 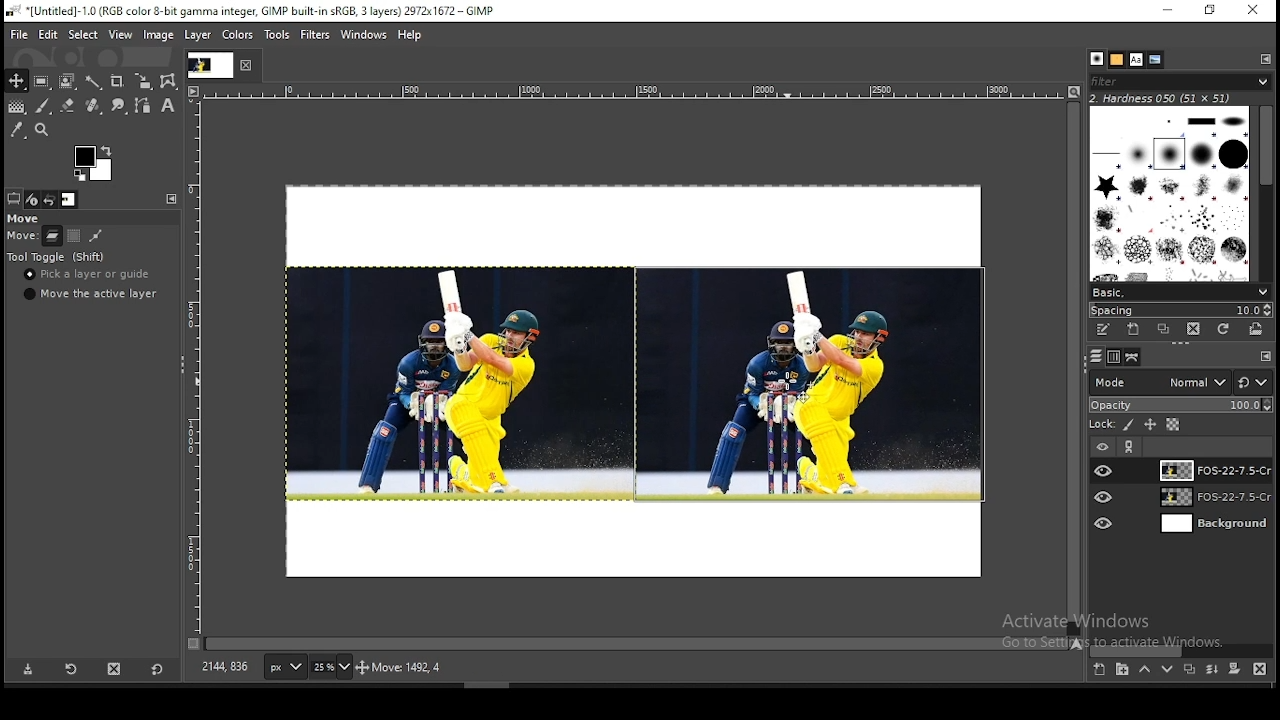 What do you see at coordinates (1225, 329) in the screenshot?
I see `refresh brushes` at bounding box center [1225, 329].